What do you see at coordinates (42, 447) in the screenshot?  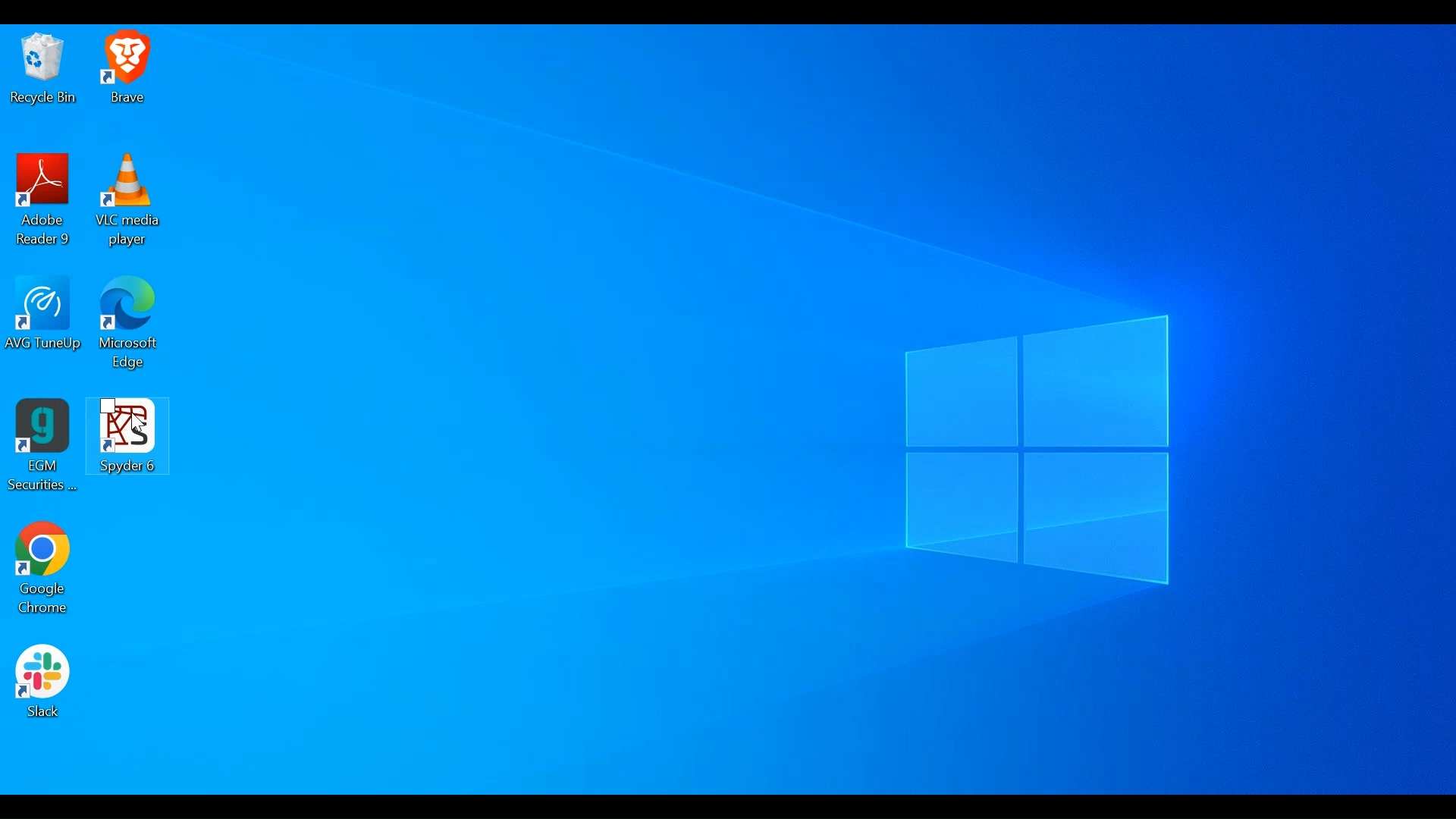 I see `EGM Securities Desktop Icon` at bounding box center [42, 447].